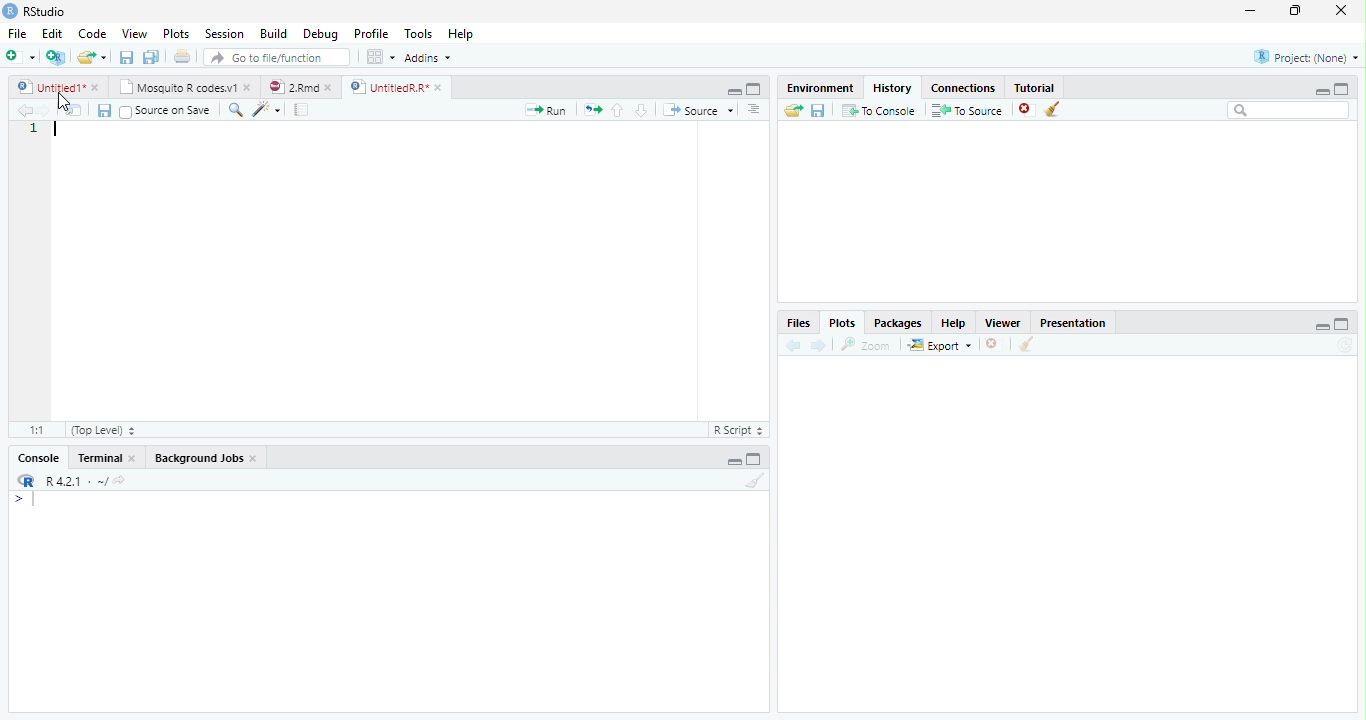 The width and height of the screenshot is (1366, 720). Describe the element at coordinates (793, 345) in the screenshot. I see `Previous plot` at that location.